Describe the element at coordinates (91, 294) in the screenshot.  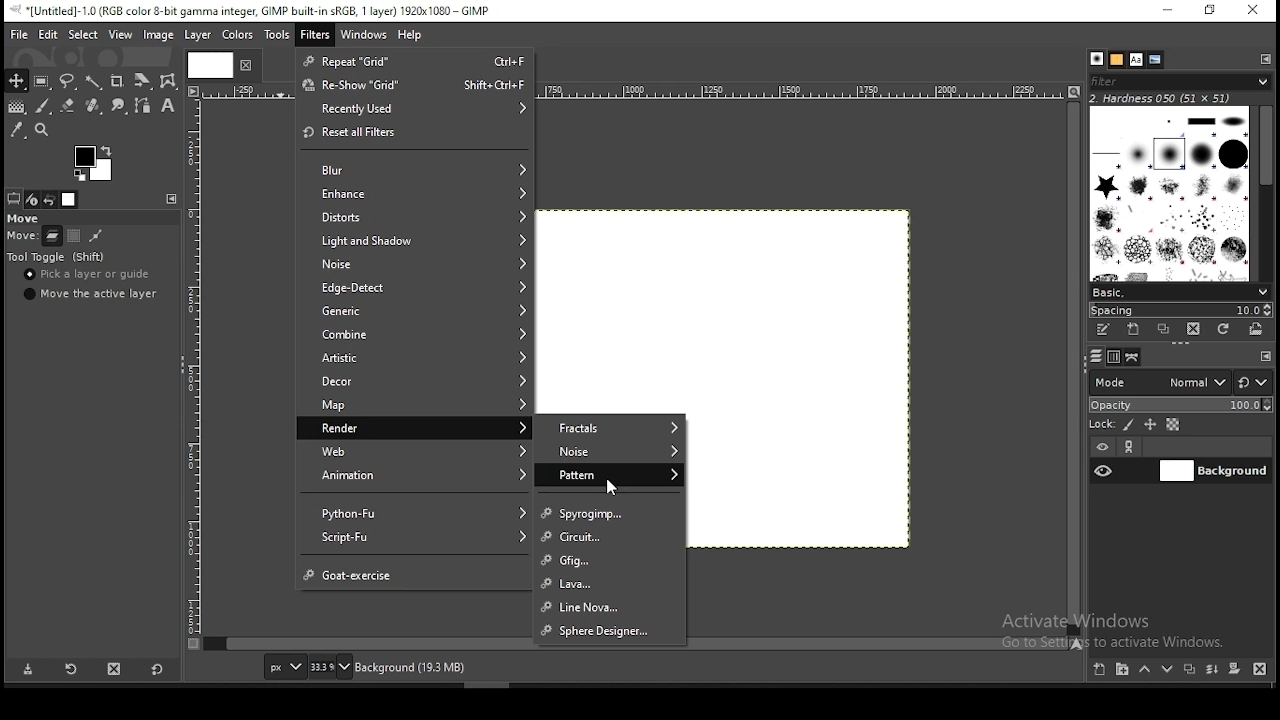
I see `move the active layer` at that location.